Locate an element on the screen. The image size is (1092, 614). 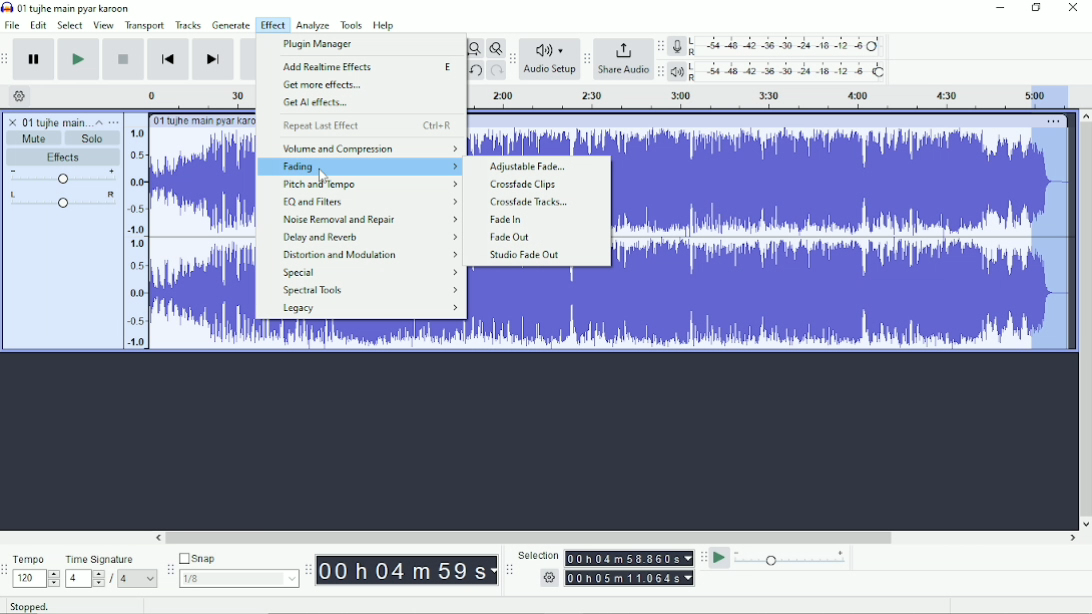
volume and Compression is located at coordinates (368, 149).